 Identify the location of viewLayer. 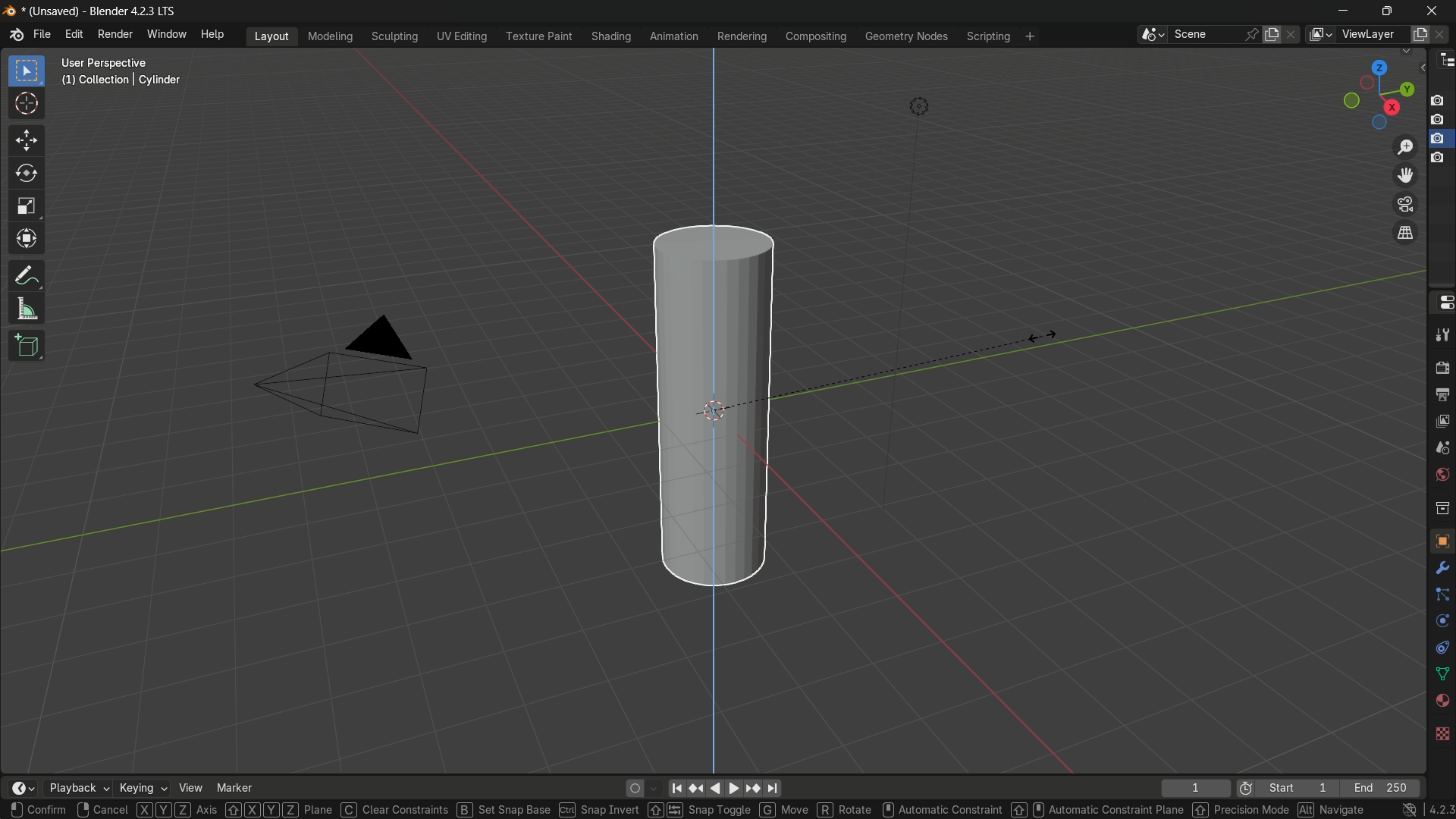
(1369, 35).